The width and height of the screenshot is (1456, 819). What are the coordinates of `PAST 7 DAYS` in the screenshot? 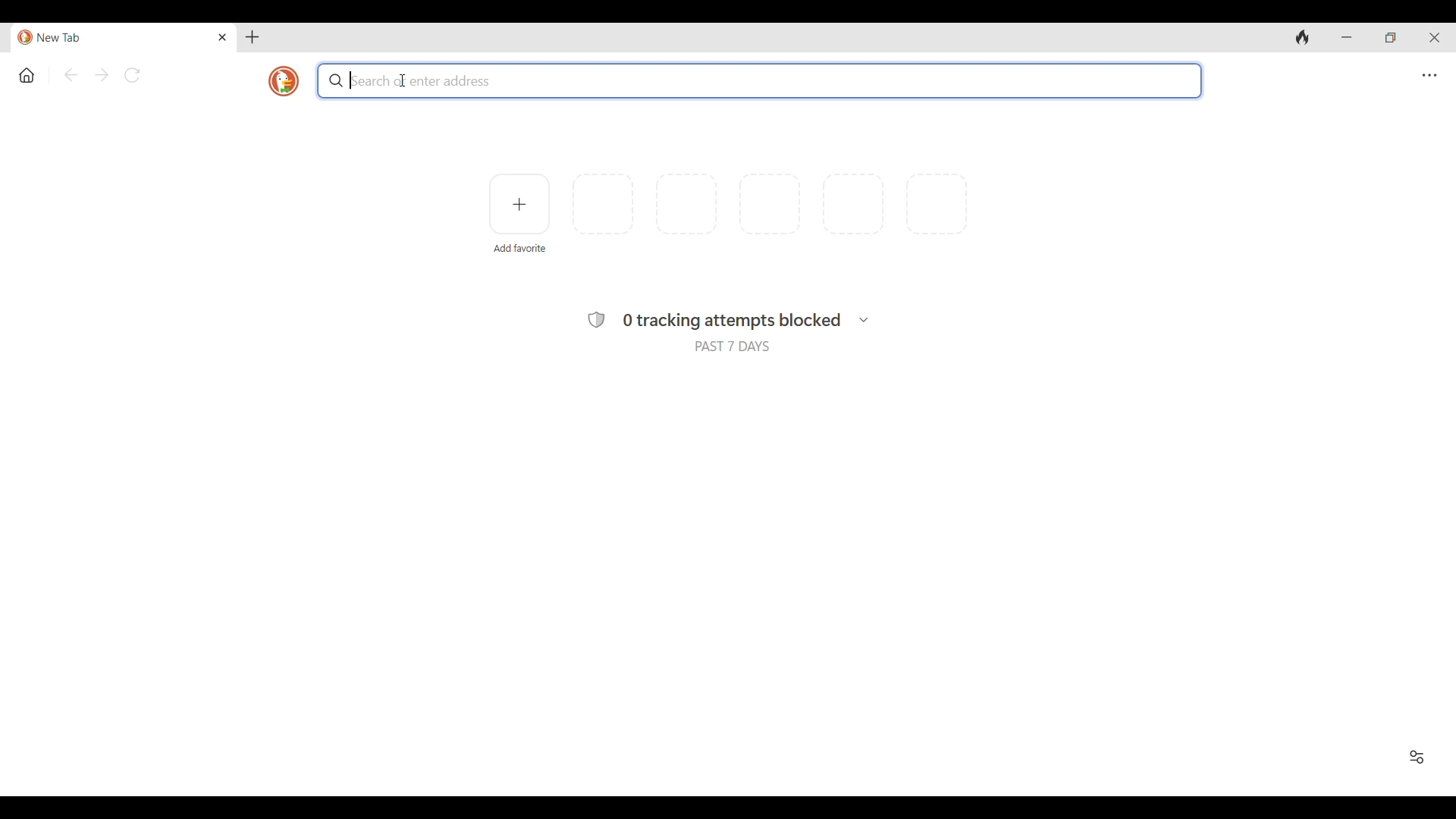 It's located at (732, 347).